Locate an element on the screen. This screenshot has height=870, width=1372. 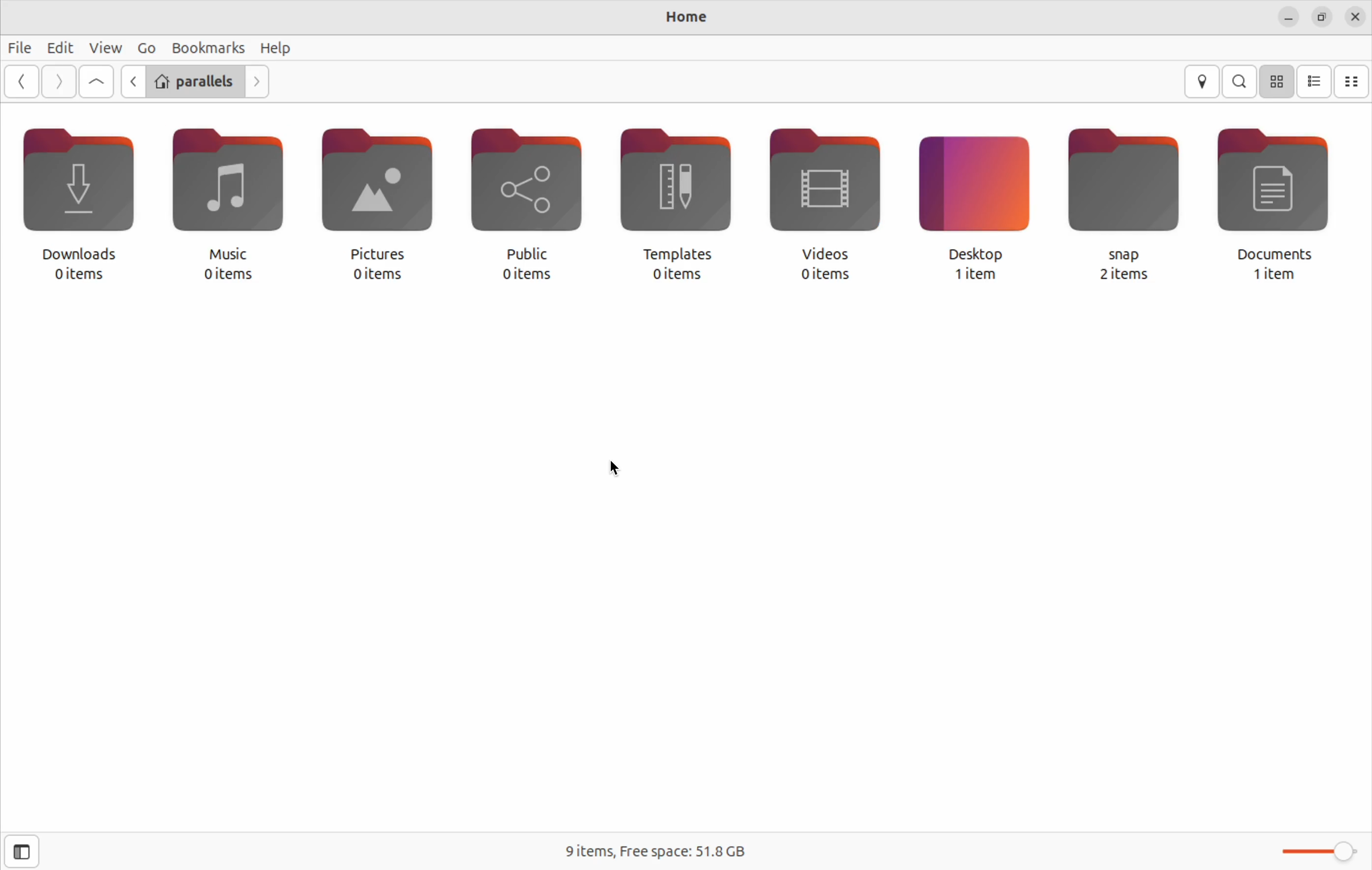
parallels is located at coordinates (193, 81).